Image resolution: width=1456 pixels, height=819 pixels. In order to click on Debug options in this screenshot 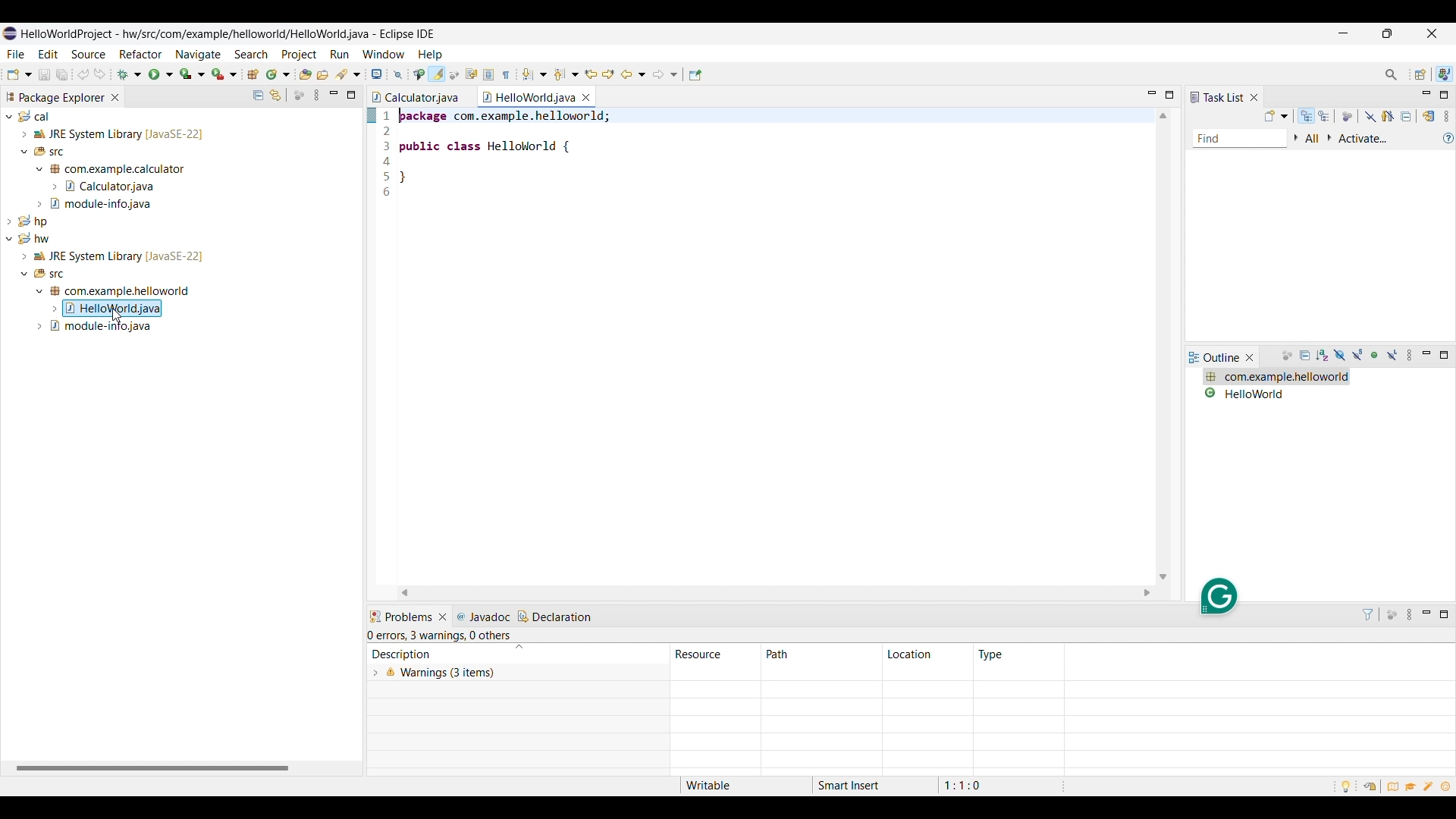, I will do `click(129, 74)`.